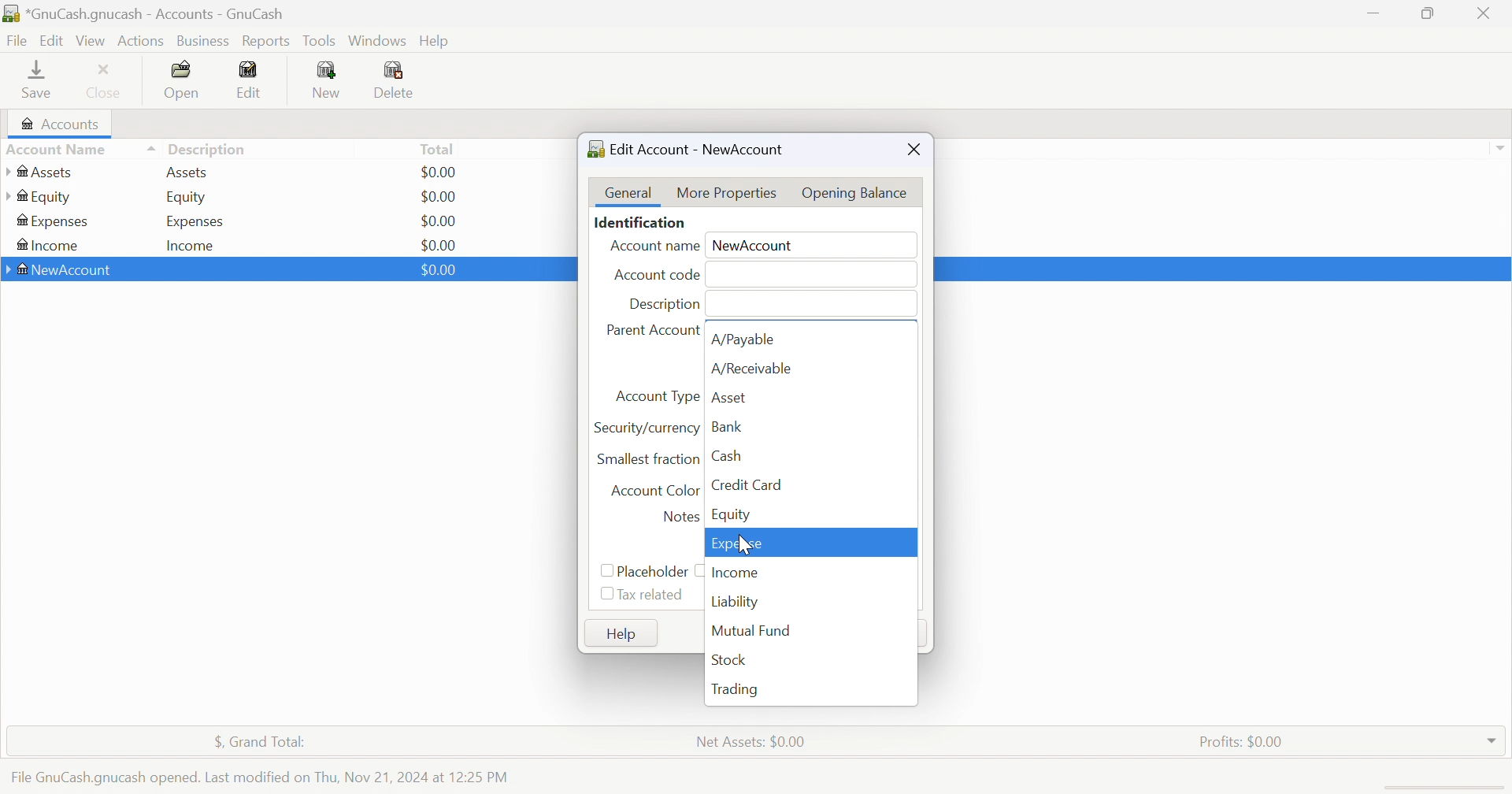 Image resolution: width=1512 pixels, height=794 pixels. Describe the element at coordinates (647, 429) in the screenshot. I see `Security/currency` at that location.